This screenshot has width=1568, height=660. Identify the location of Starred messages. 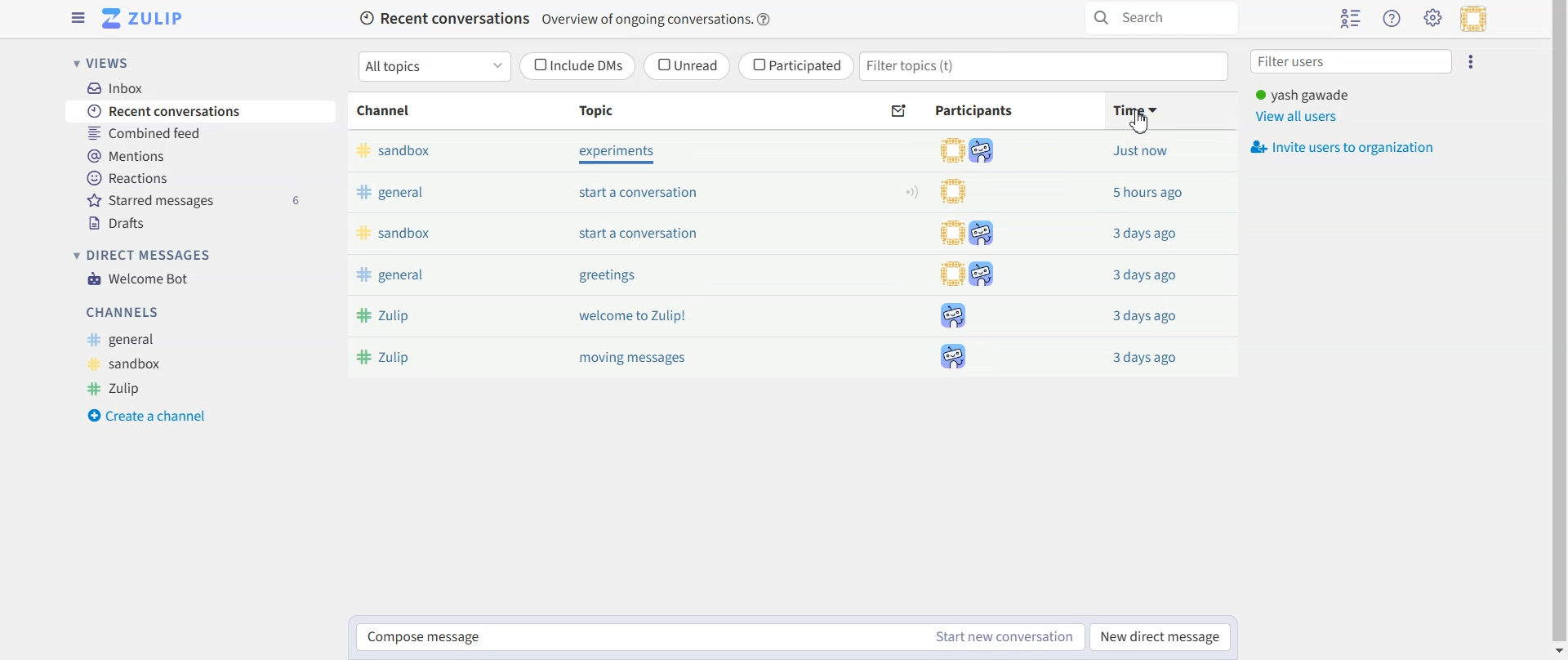
(201, 199).